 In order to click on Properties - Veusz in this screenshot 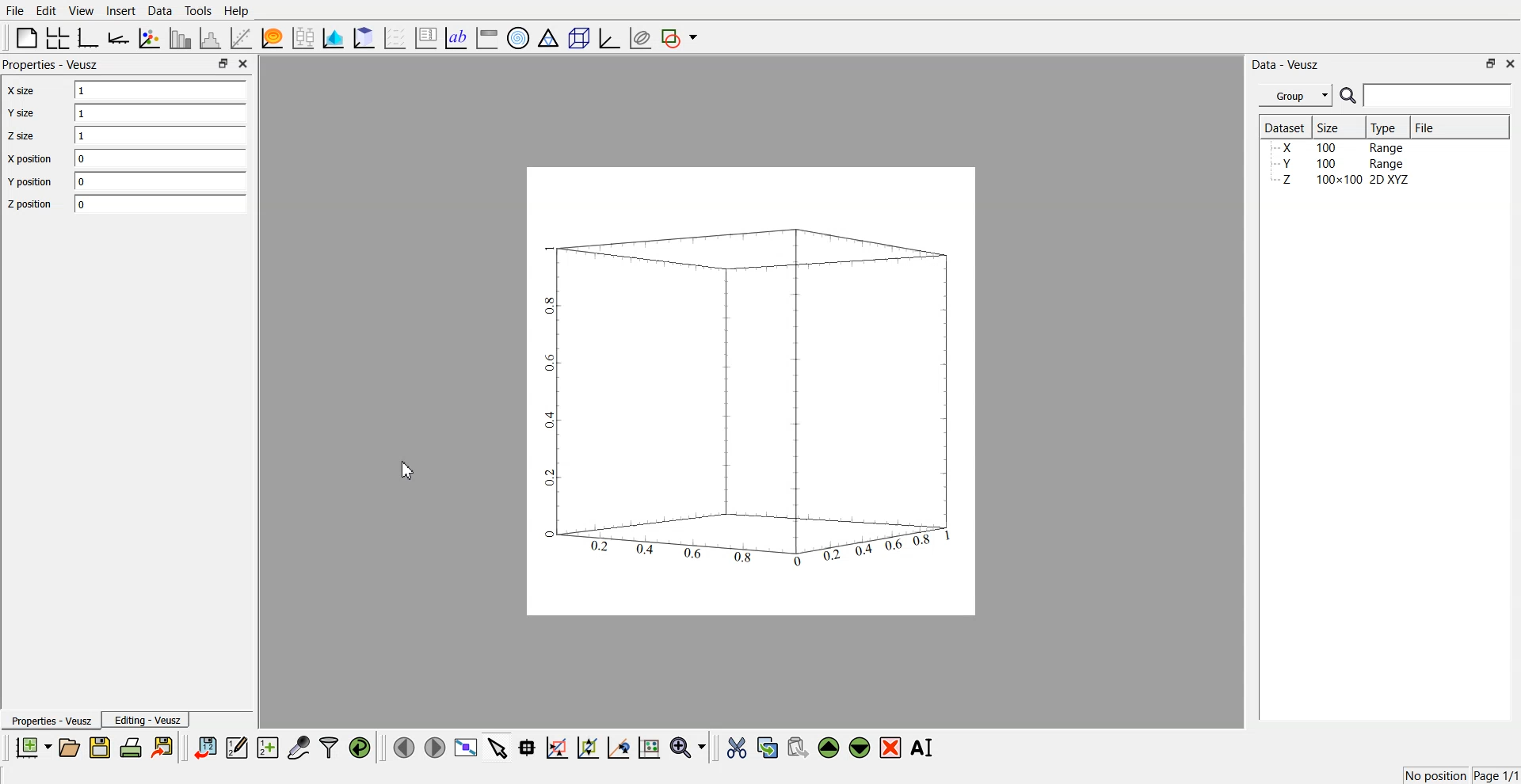, I will do `click(51, 64)`.